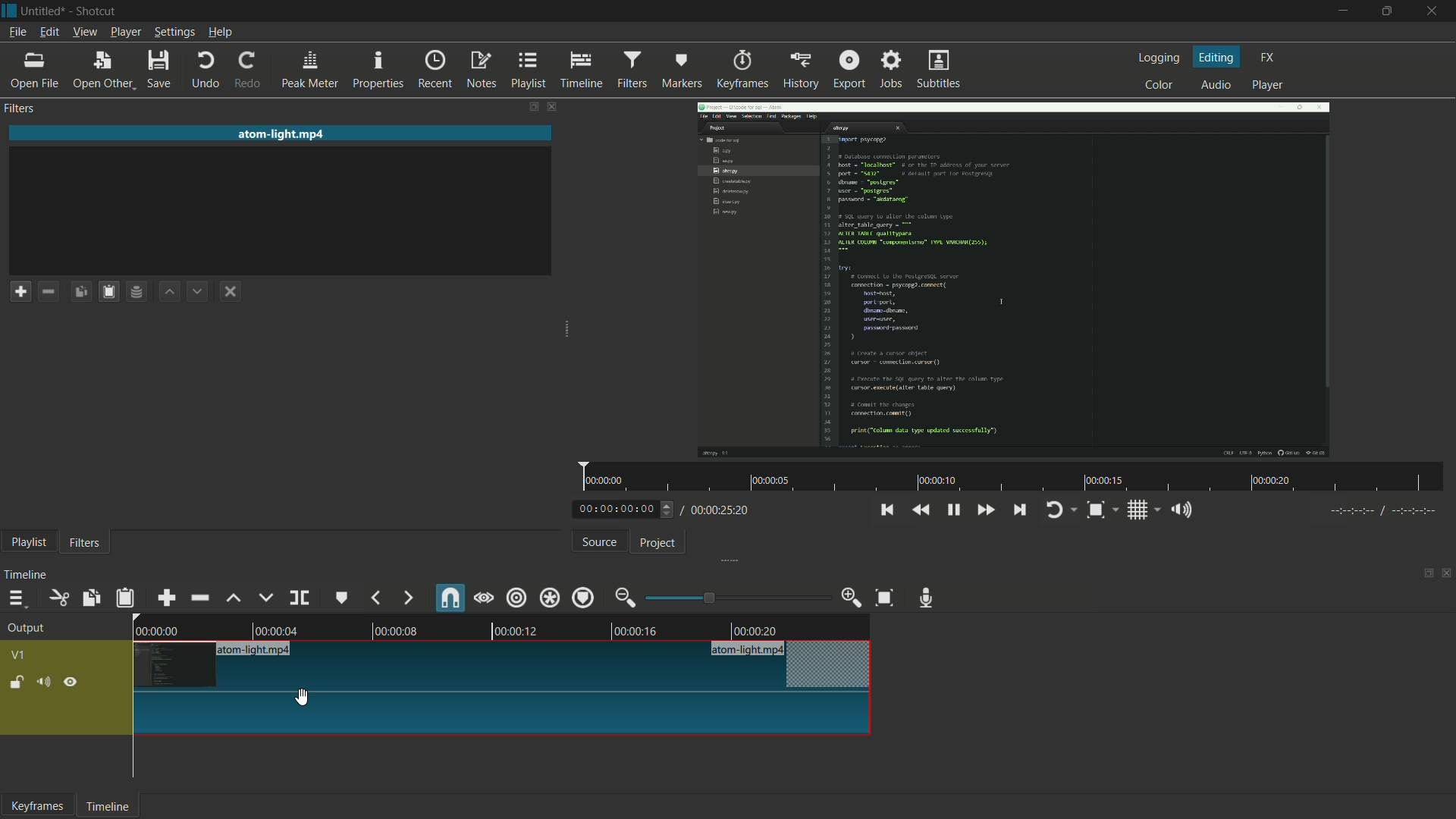 The height and width of the screenshot is (819, 1456). I want to click on cut, so click(58, 598).